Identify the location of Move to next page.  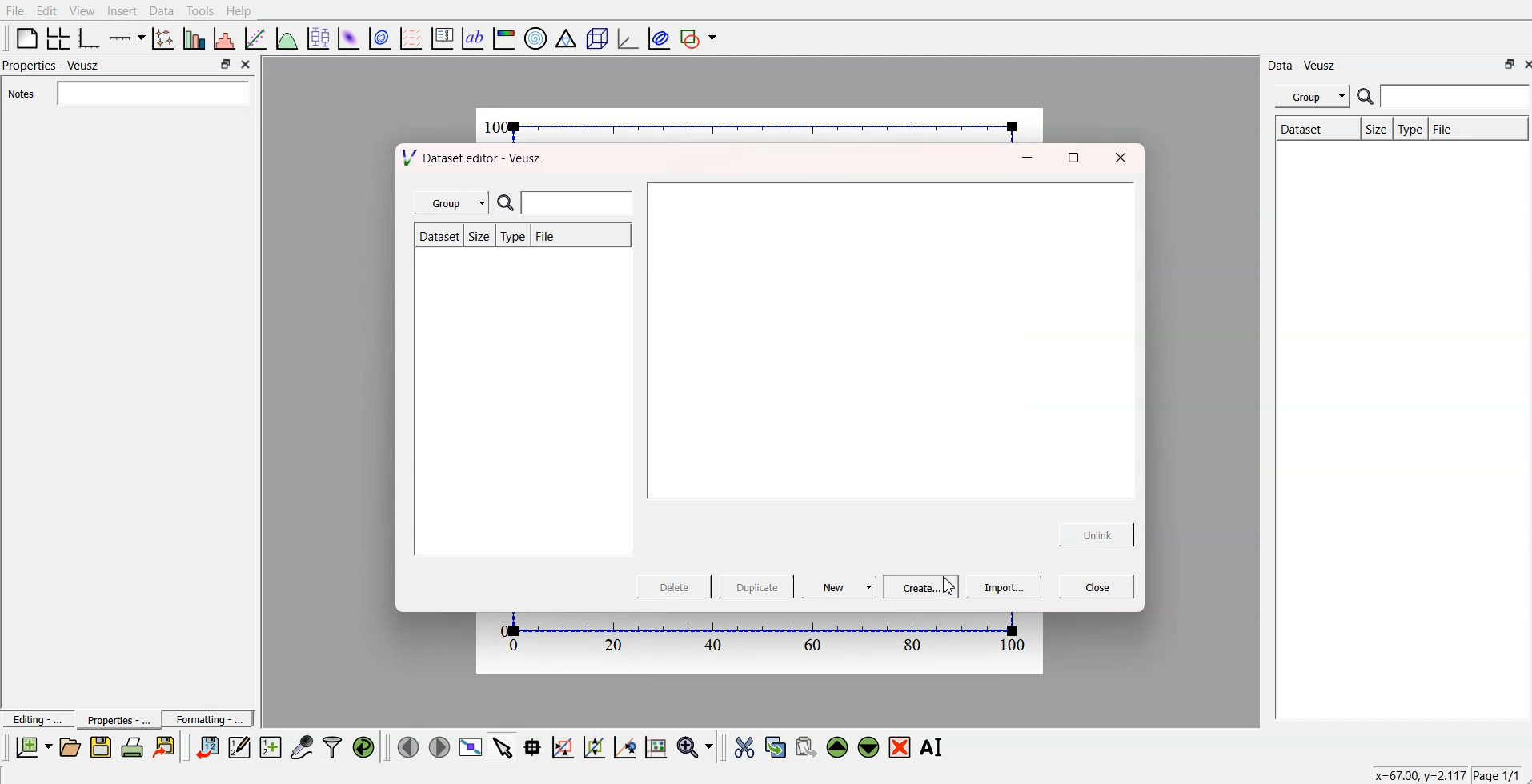
(439, 746).